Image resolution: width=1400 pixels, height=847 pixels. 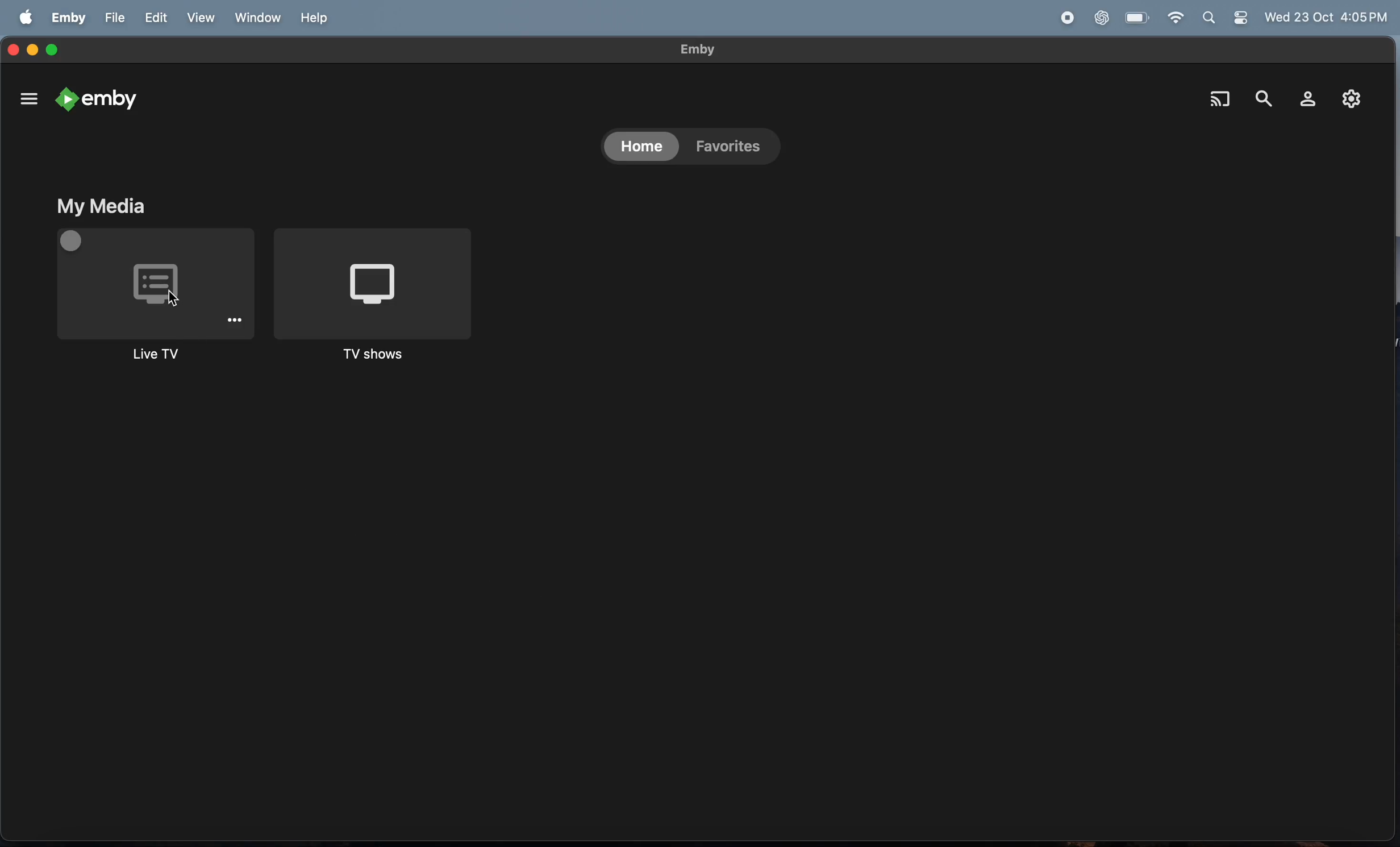 What do you see at coordinates (688, 49) in the screenshot?
I see `emby` at bounding box center [688, 49].